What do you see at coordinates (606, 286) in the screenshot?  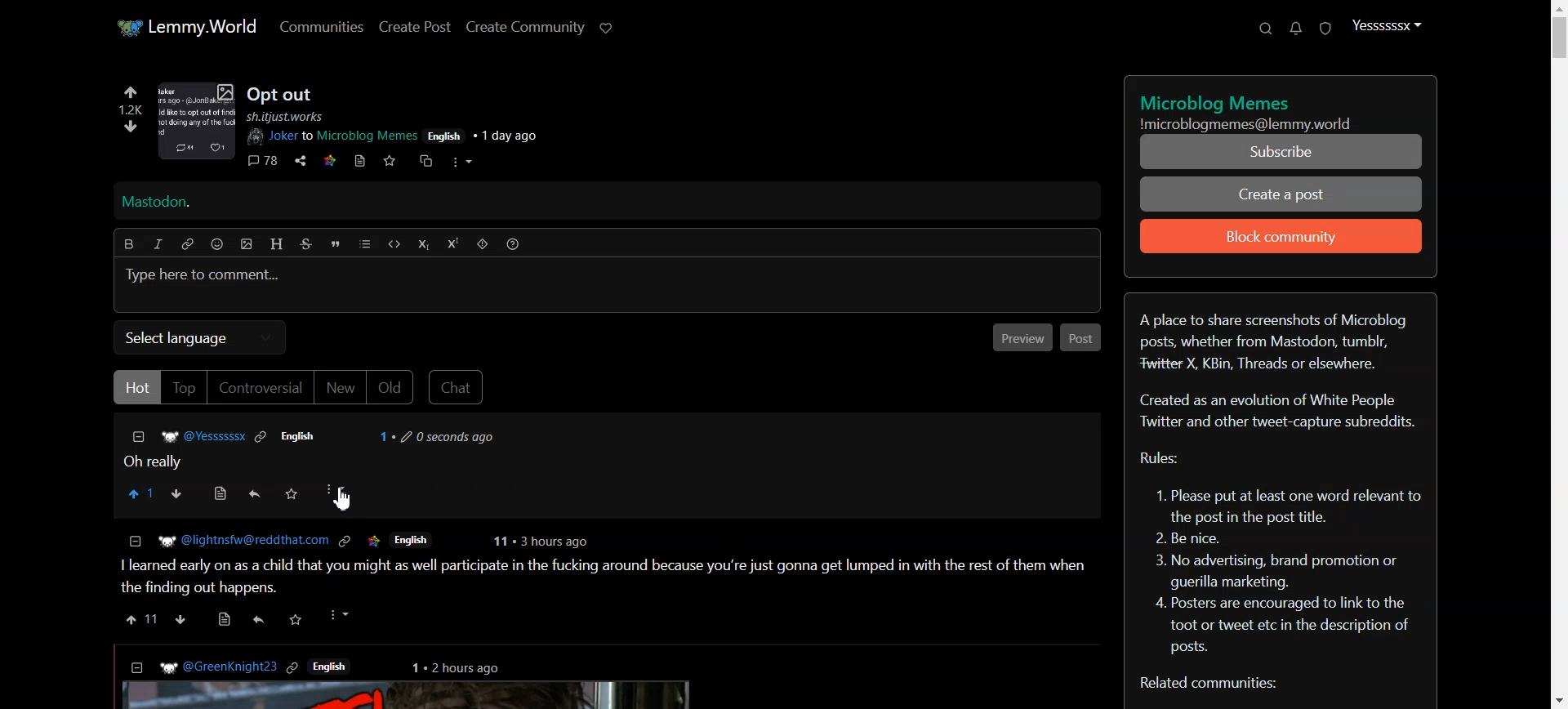 I see `Typing window` at bounding box center [606, 286].